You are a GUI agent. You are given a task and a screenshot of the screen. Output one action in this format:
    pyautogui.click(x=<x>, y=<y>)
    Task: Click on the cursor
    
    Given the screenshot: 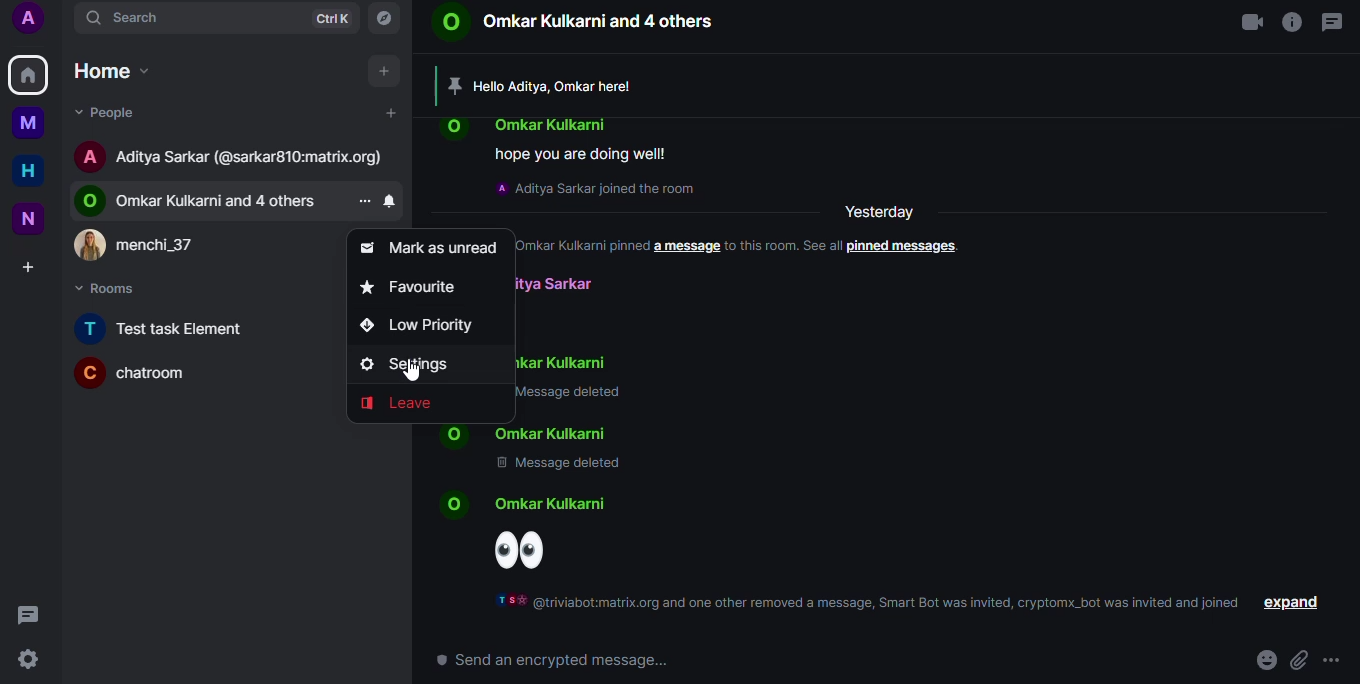 What is the action you would take?
    pyautogui.click(x=412, y=371)
    